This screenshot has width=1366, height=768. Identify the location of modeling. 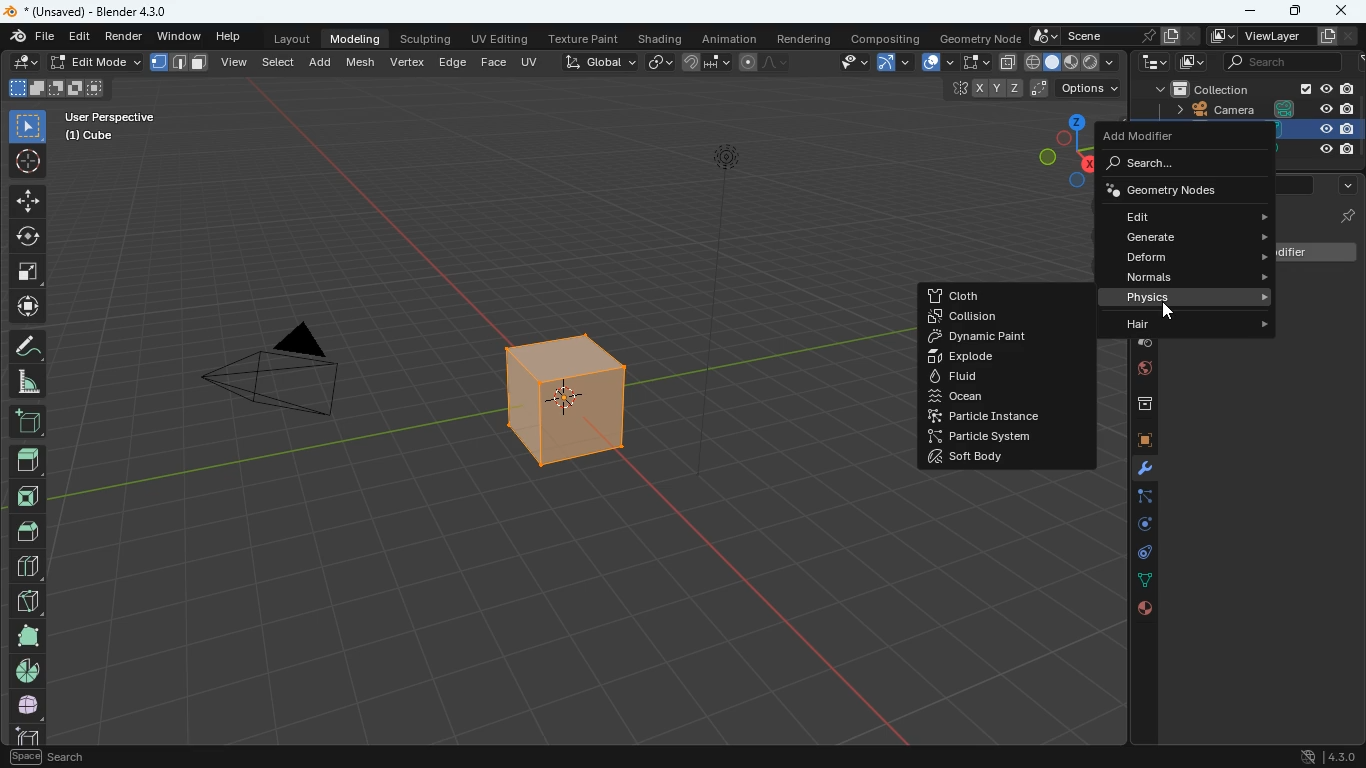
(356, 37).